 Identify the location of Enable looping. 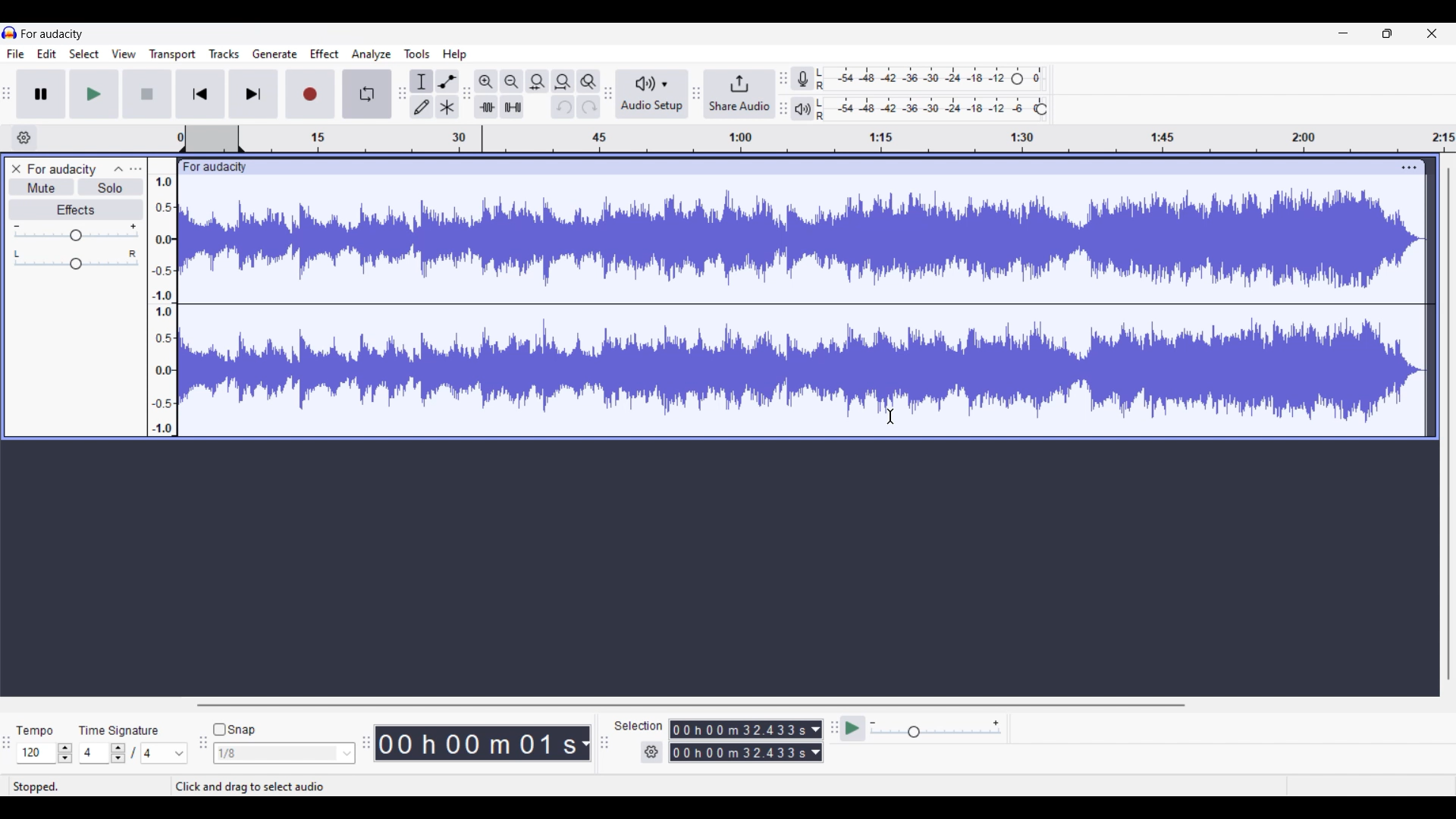
(367, 93).